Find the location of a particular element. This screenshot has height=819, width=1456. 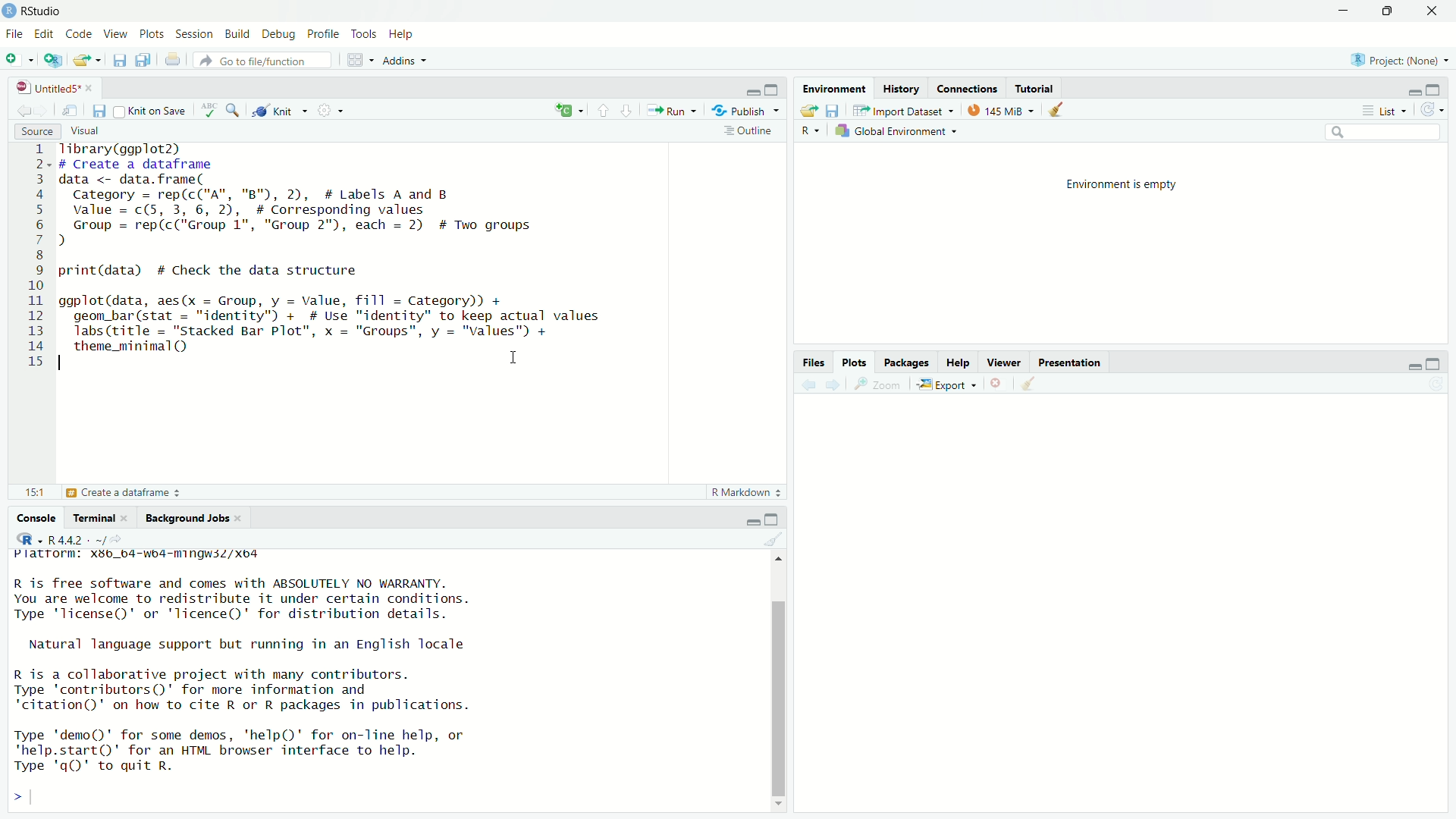

List is located at coordinates (1385, 109).